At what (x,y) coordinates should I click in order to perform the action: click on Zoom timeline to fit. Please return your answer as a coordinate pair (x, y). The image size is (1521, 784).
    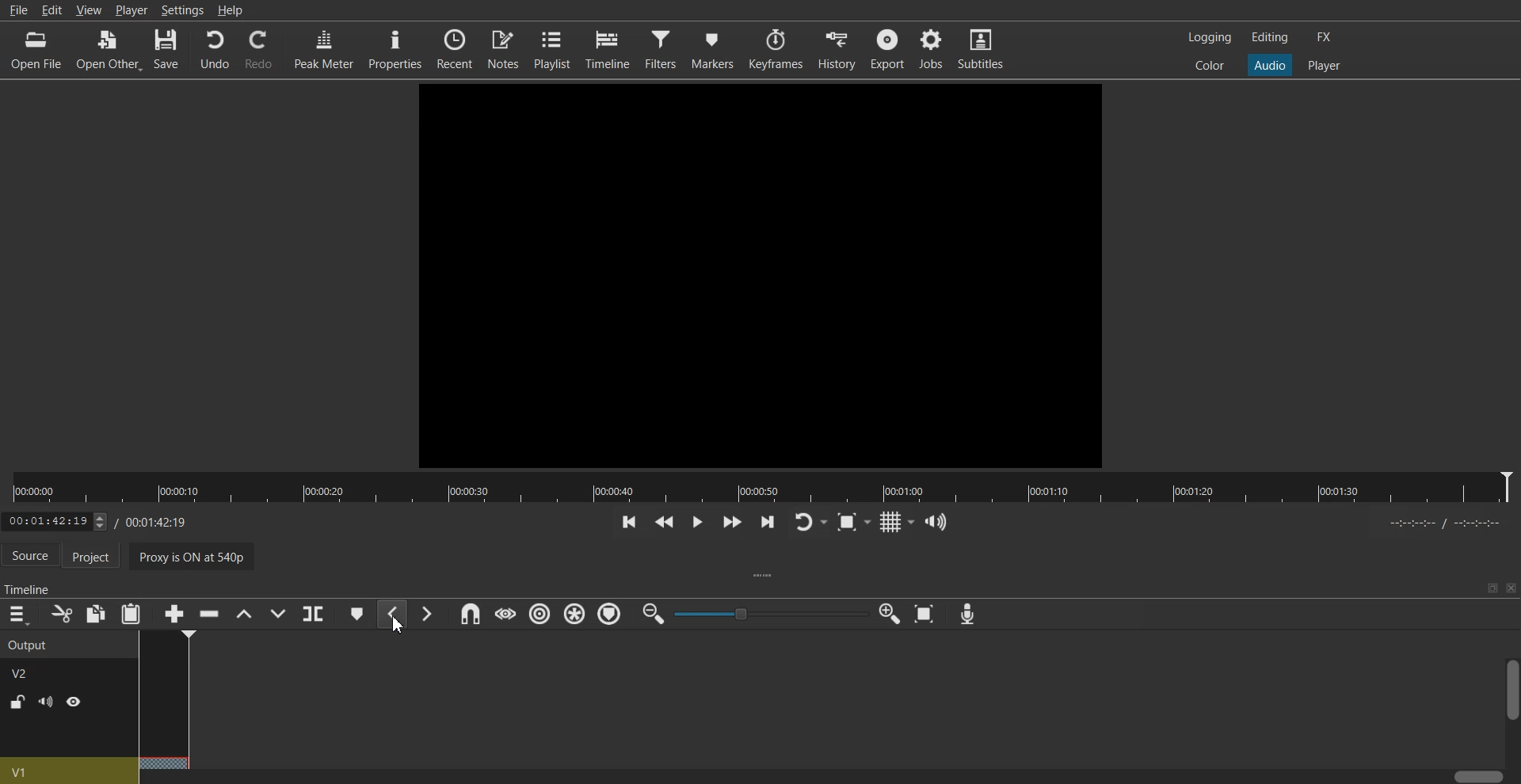
    Looking at the image, I should click on (927, 614).